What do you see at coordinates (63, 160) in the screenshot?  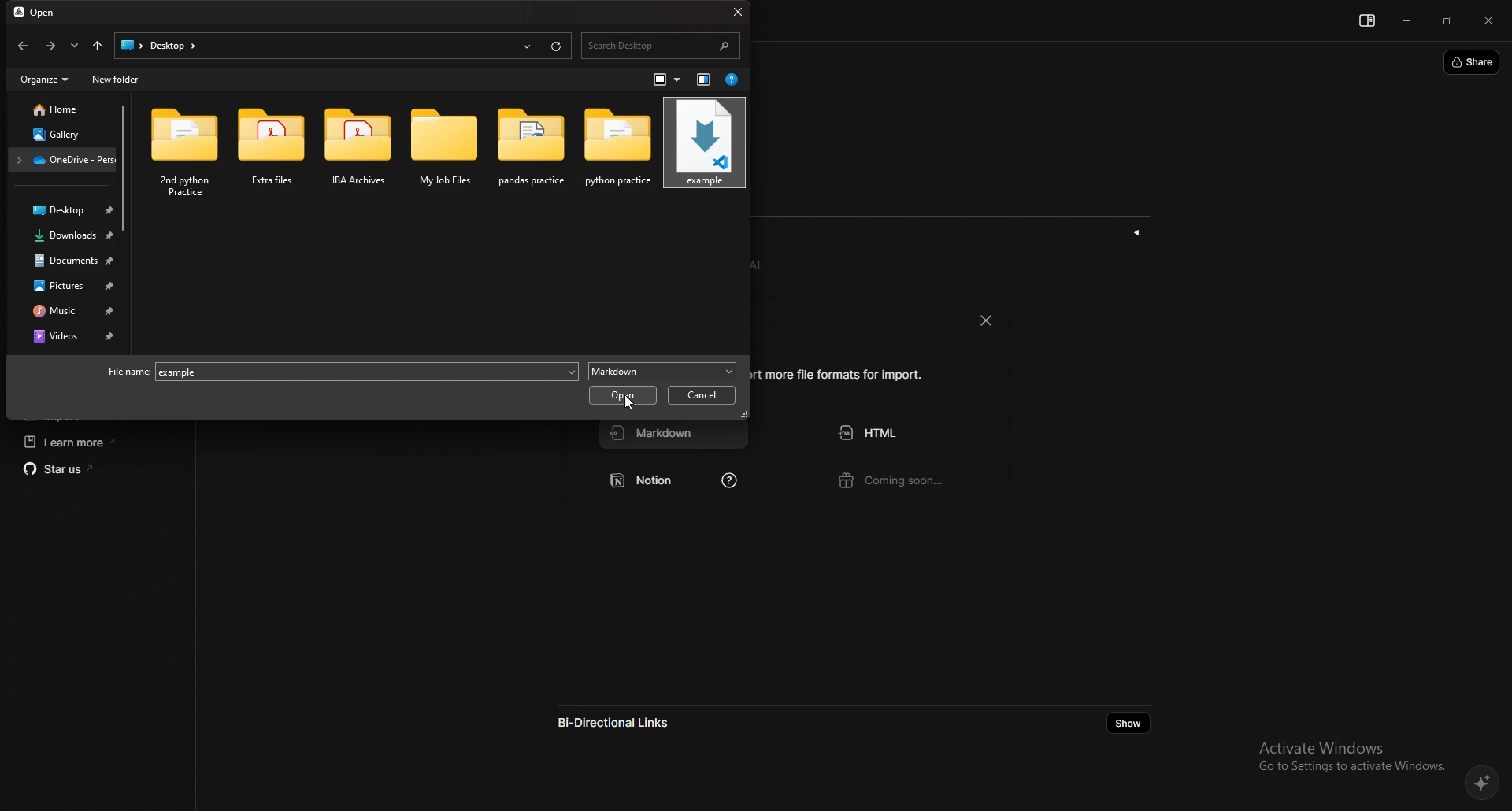 I see `folder` at bounding box center [63, 160].